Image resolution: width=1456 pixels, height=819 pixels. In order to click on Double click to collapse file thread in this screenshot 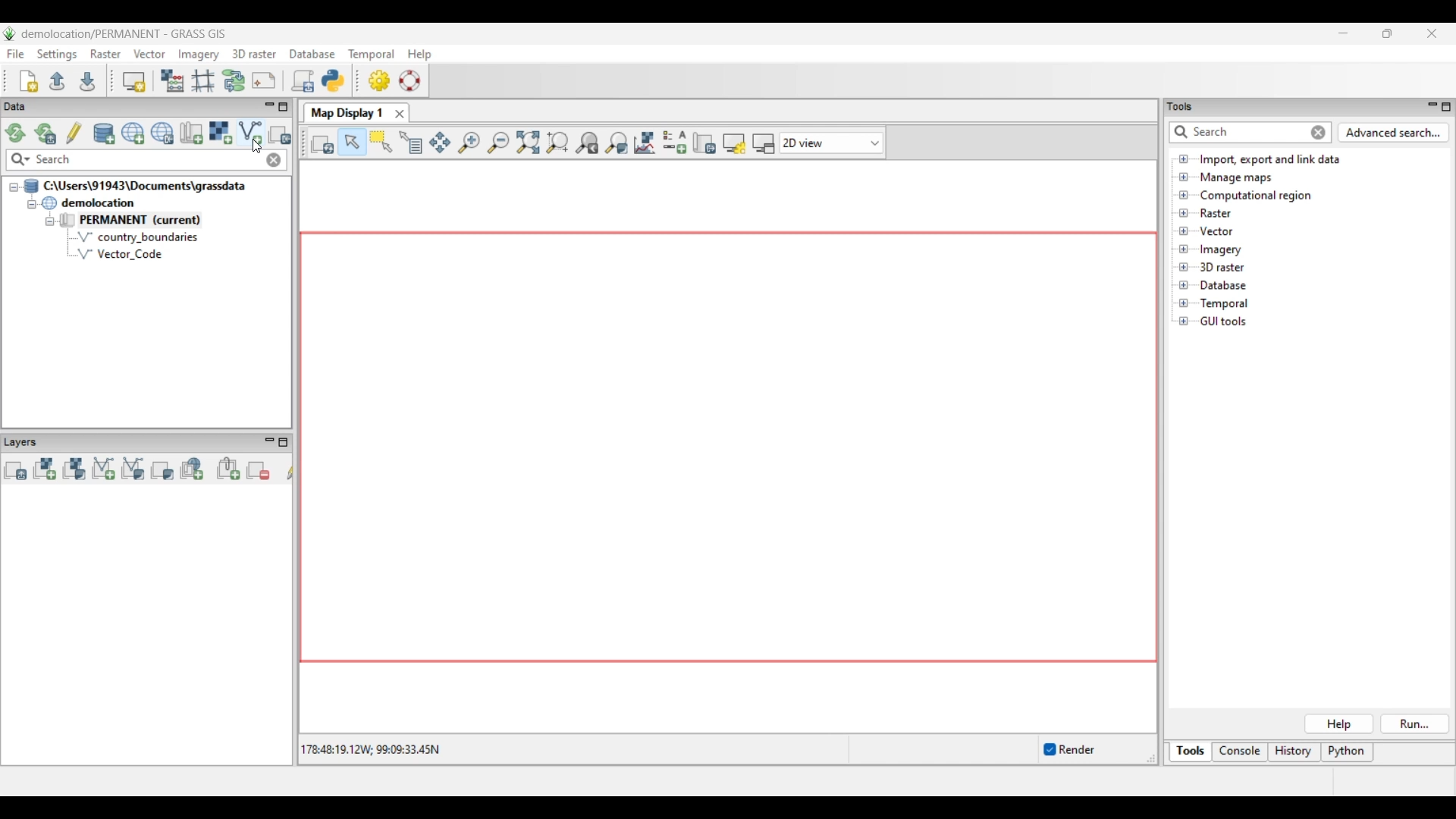, I will do `click(135, 186)`.